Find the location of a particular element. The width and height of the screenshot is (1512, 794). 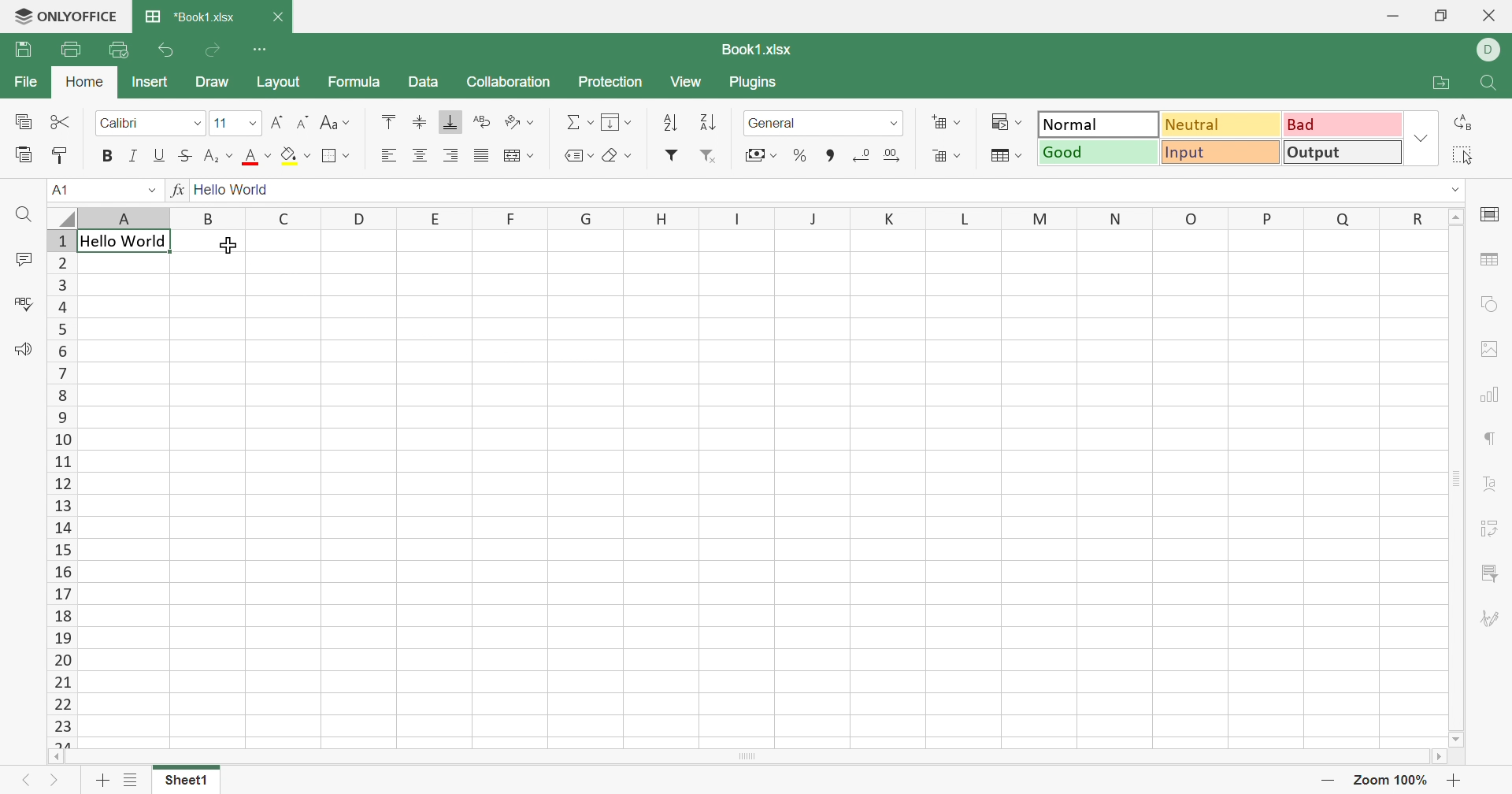

Protection is located at coordinates (608, 81).